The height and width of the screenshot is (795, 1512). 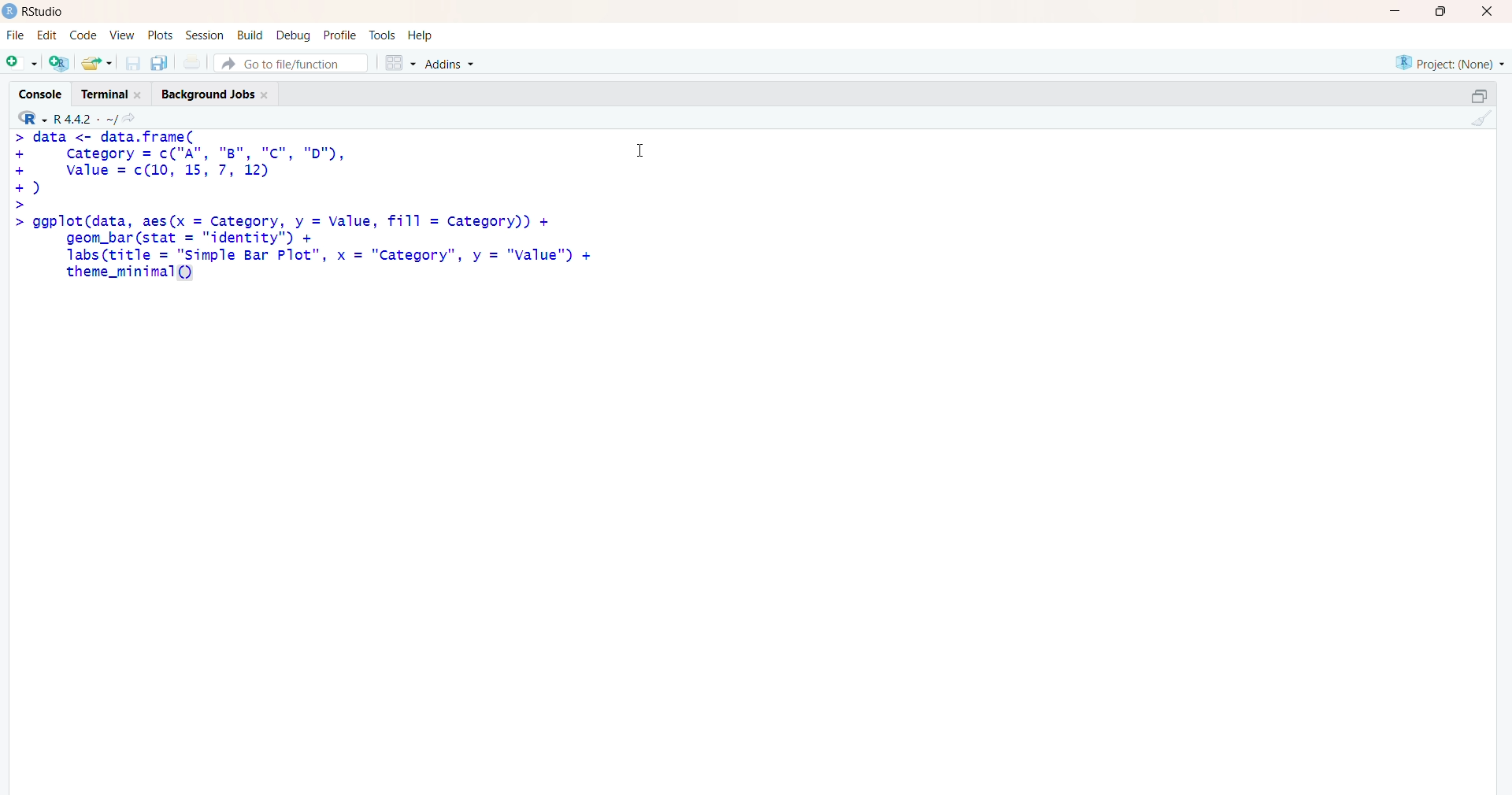 What do you see at coordinates (16, 35) in the screenshot?
I see `File` at bounding box center [16, 35].